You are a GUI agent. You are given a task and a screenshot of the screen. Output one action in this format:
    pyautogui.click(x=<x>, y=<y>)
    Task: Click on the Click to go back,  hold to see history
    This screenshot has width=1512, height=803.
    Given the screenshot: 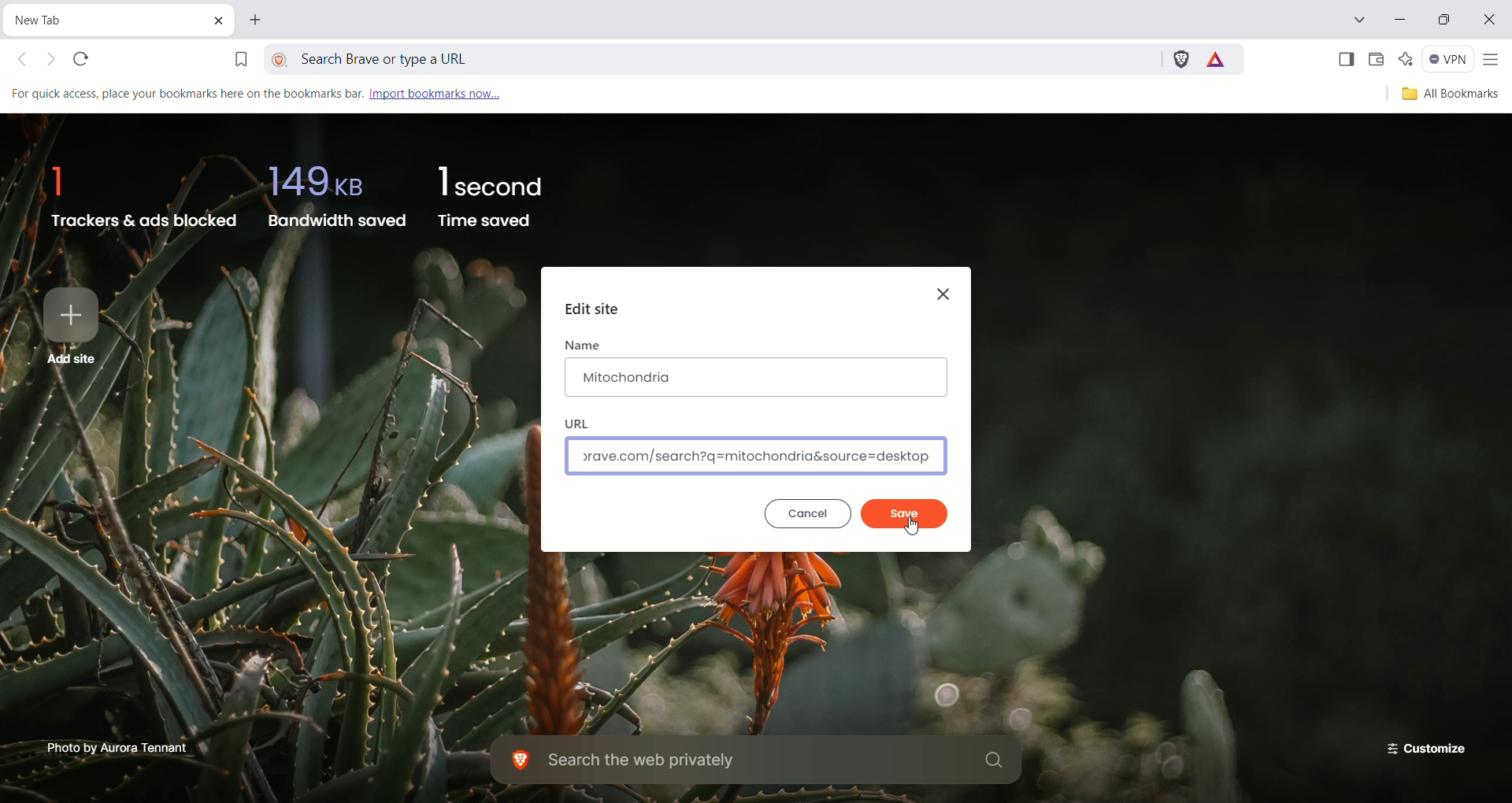 What is the action you would take?
    pyautogui.click(x=28, y=61)
    